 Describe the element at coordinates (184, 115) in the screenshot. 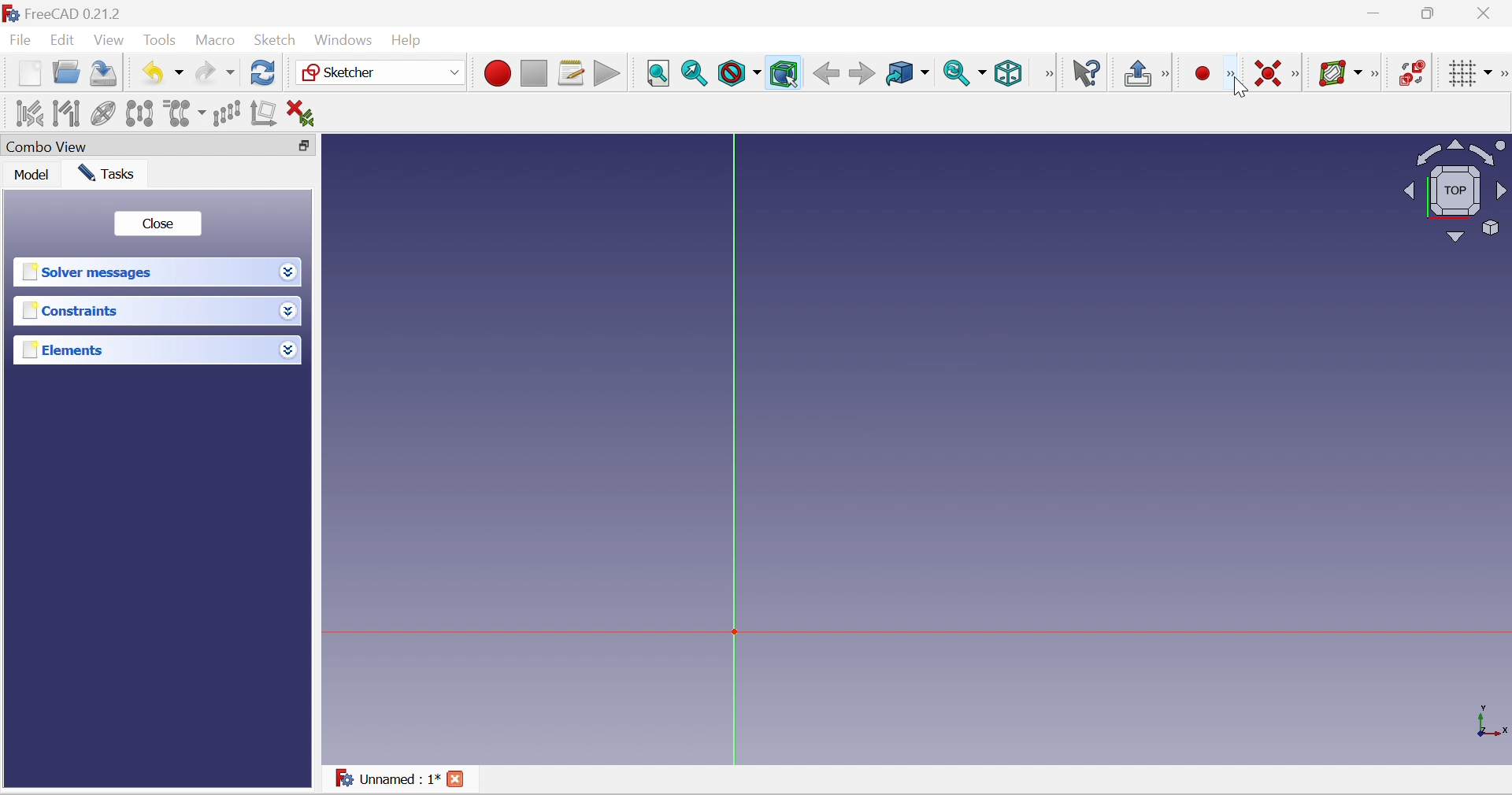

I see `Clone` at that location.